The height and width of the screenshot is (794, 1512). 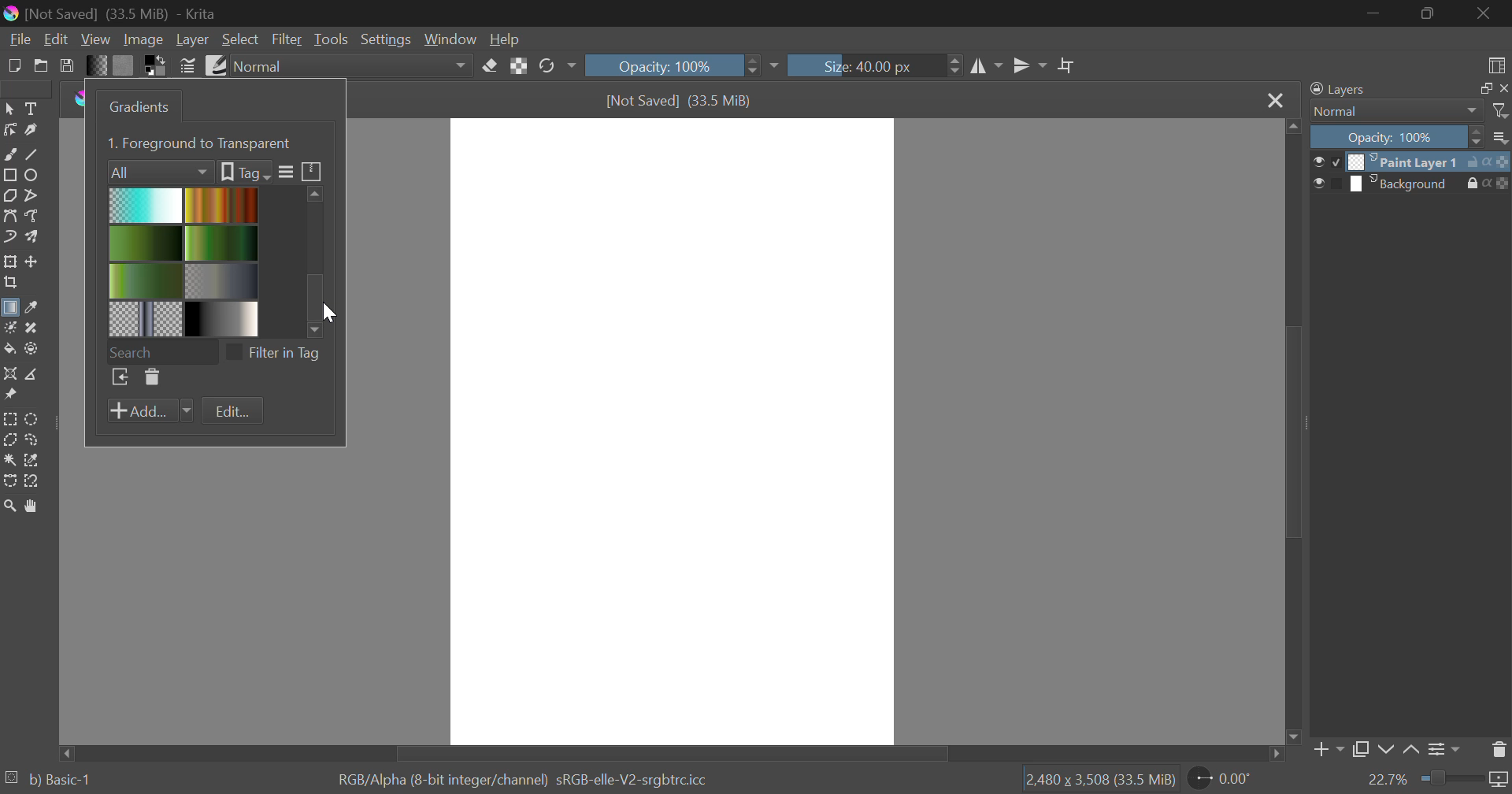 I want to click on Layer Settings, so click(x=1442, y=749).